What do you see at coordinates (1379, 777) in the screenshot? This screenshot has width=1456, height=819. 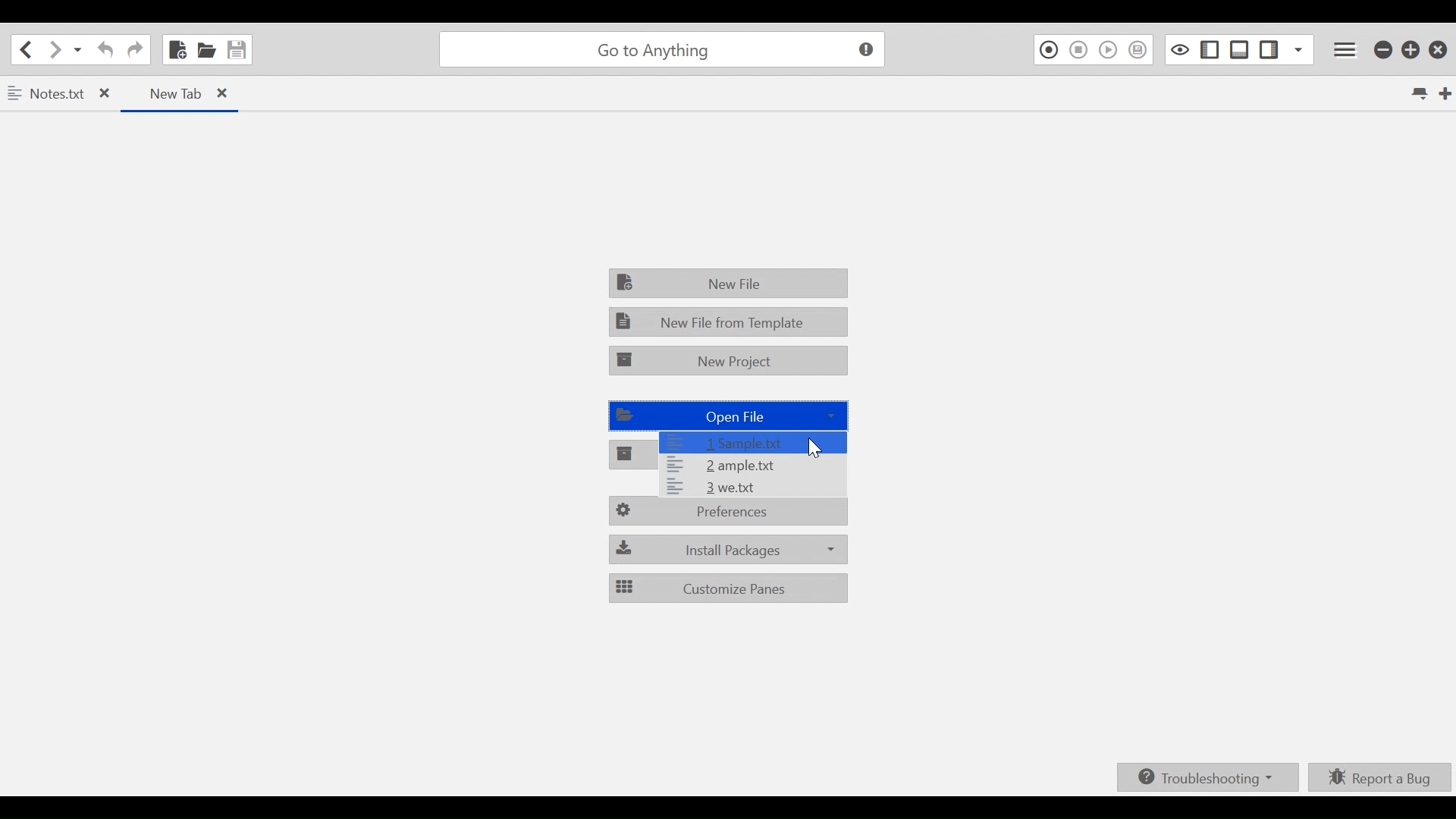 I see `Report a bug` at bounding box center [1379, 777].